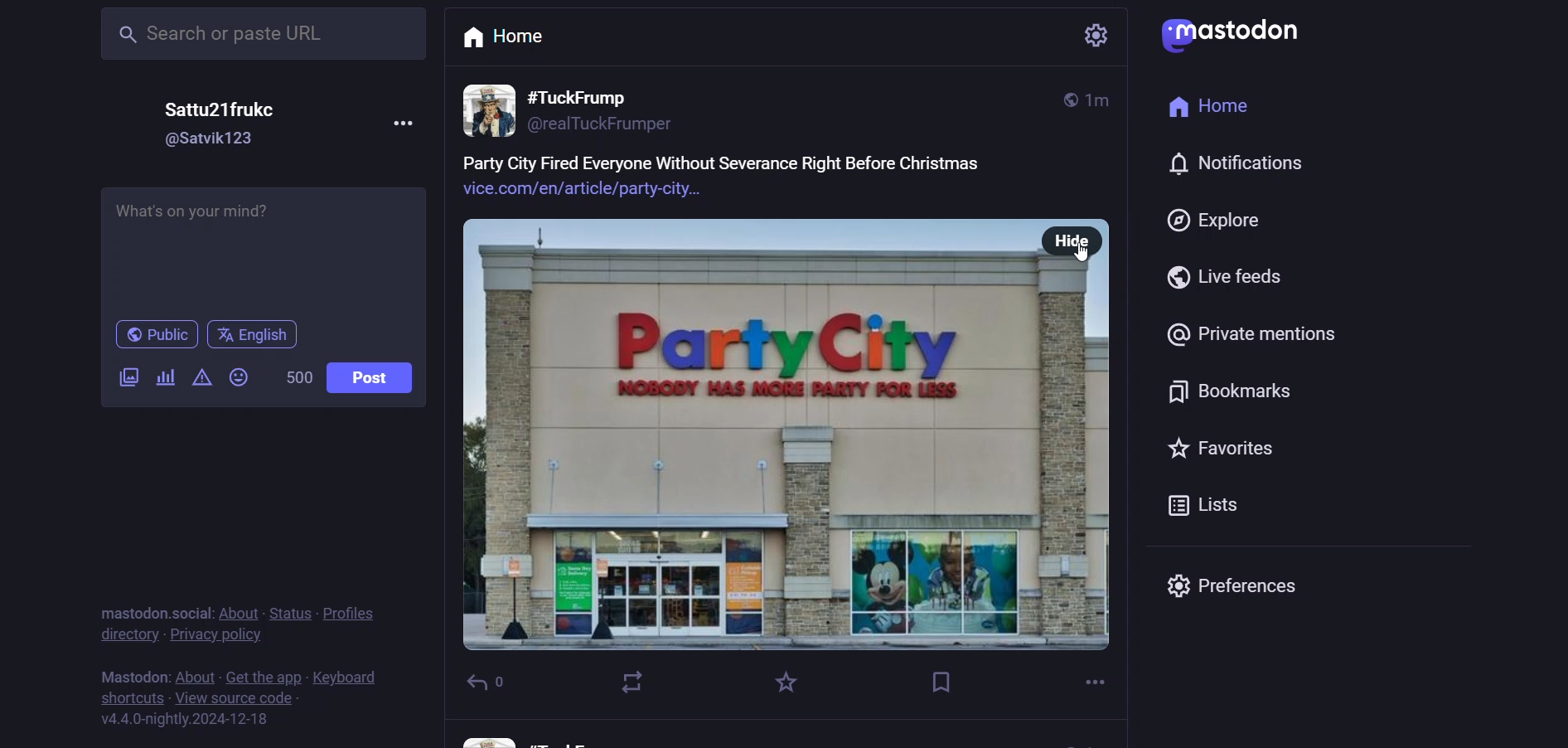  What do you see at coordinates (237, 376) in the screenshot?
I see `add emoji` at bounding box center [237, 376].